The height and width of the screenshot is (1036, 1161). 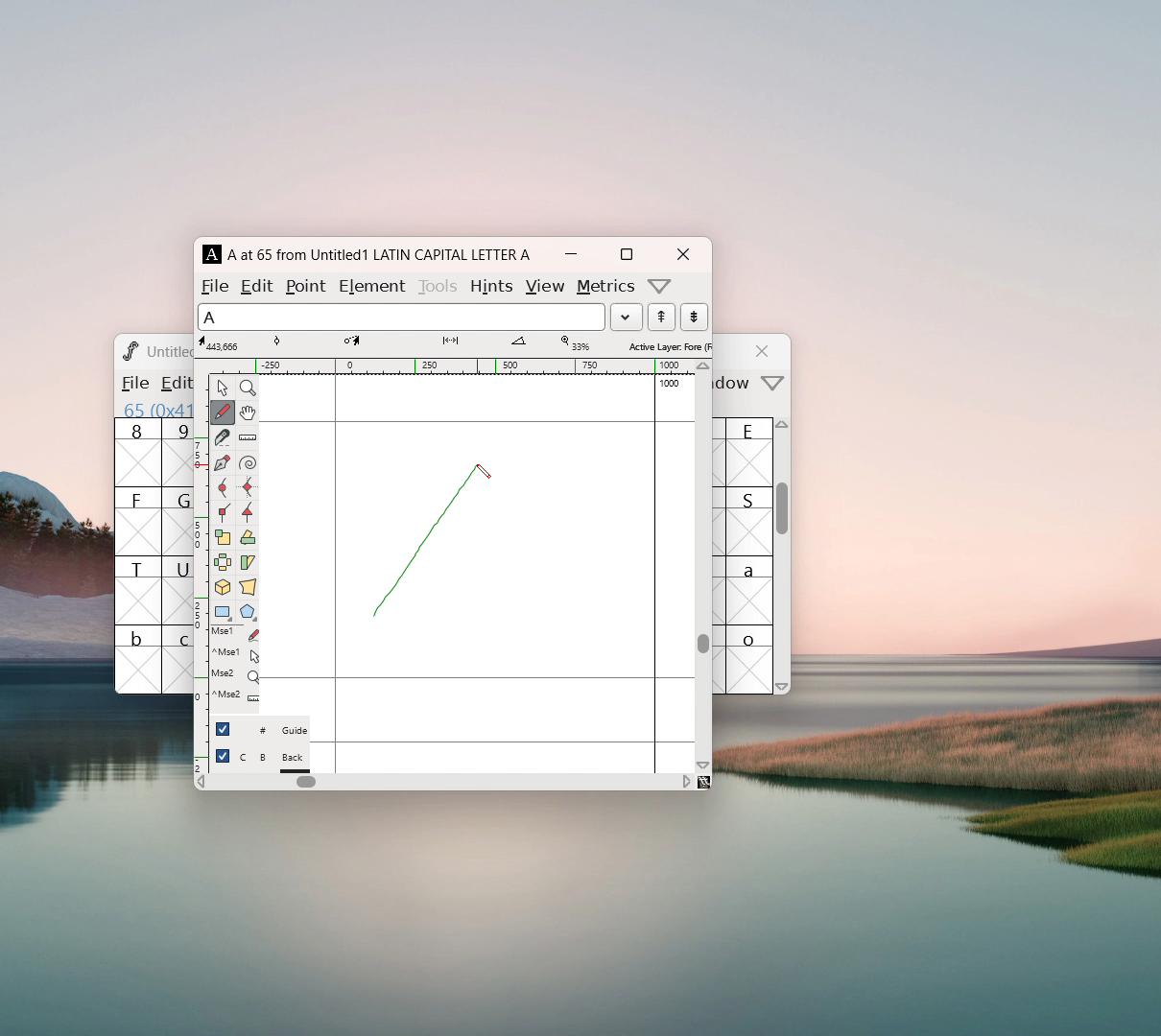 What do you see at coordinates (248, 438) in the screenshot?
I see `measure distance, angle between points` at bounding box center [248, 438].